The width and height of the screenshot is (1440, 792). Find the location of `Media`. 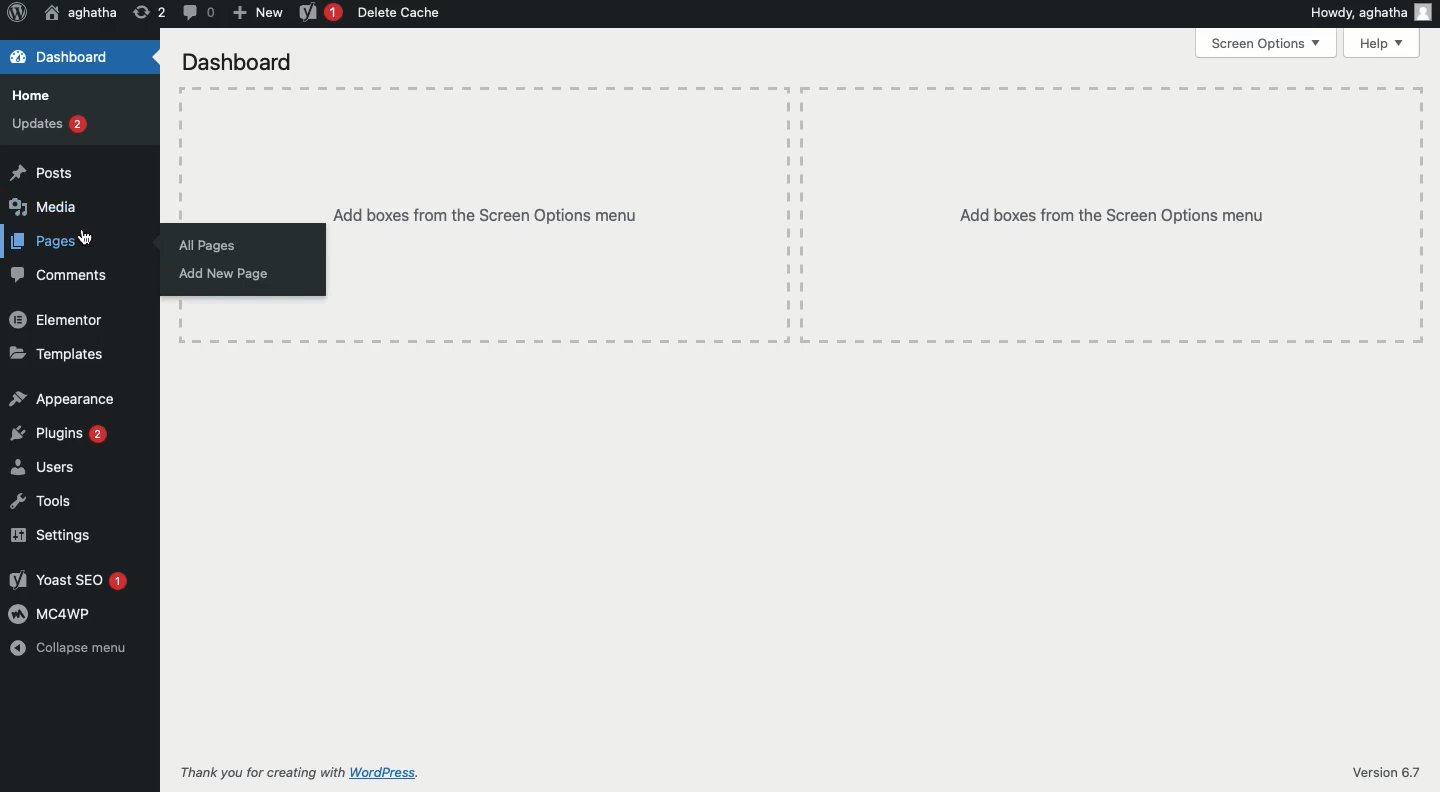

Media is located at coordinates (43, 208).